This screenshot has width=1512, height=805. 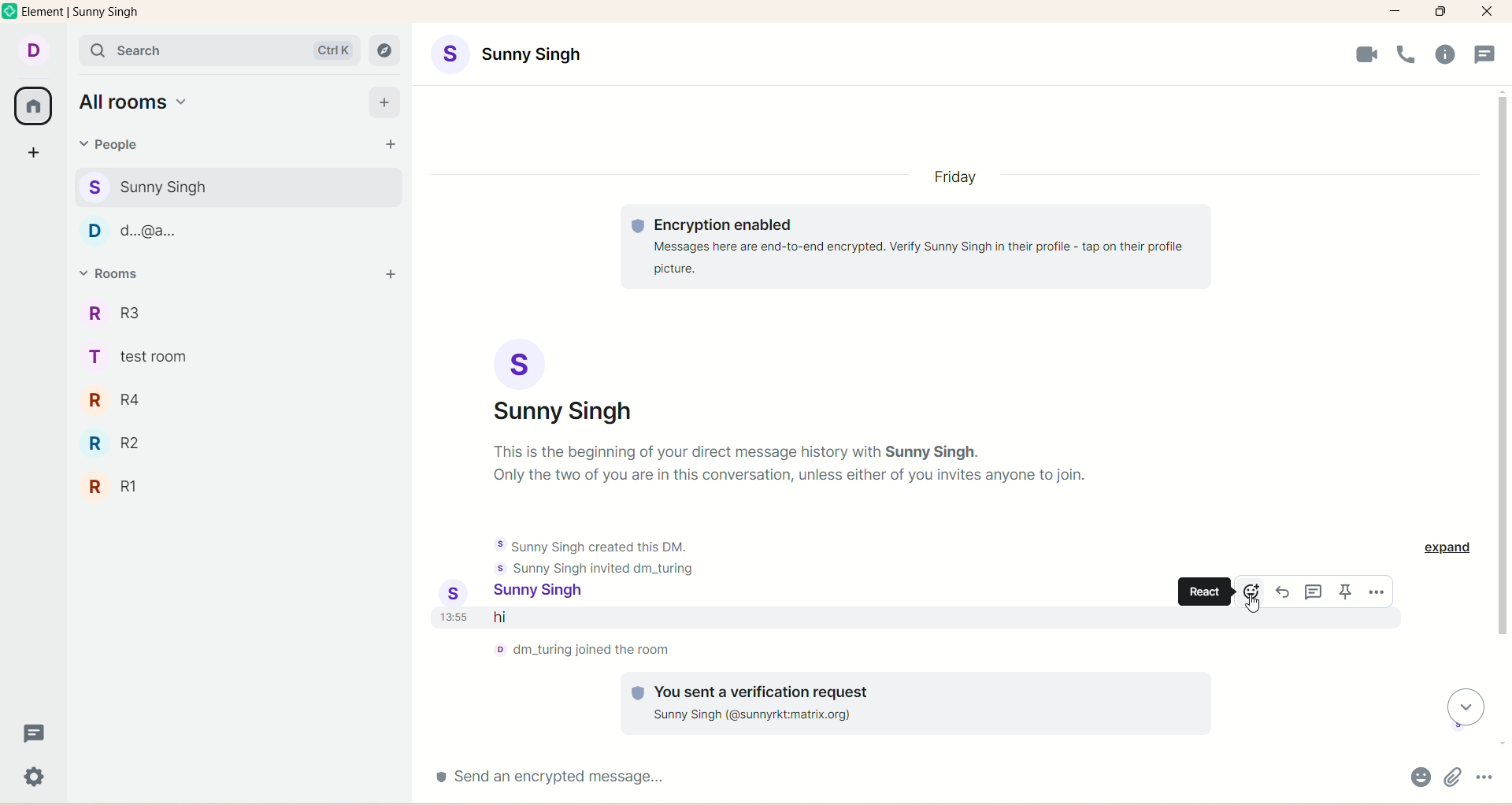 I want to click on time, so click(x=455, y=617).